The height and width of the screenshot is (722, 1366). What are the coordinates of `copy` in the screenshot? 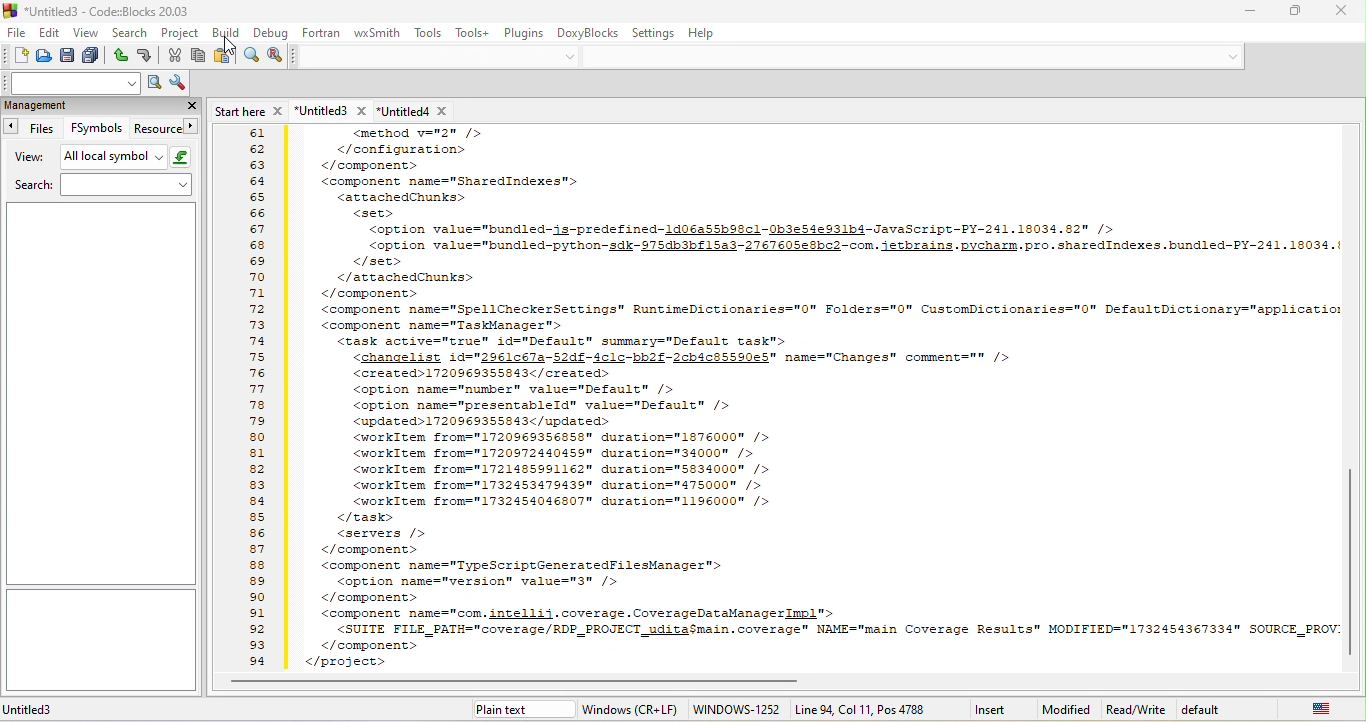 It's located at (200, 56).